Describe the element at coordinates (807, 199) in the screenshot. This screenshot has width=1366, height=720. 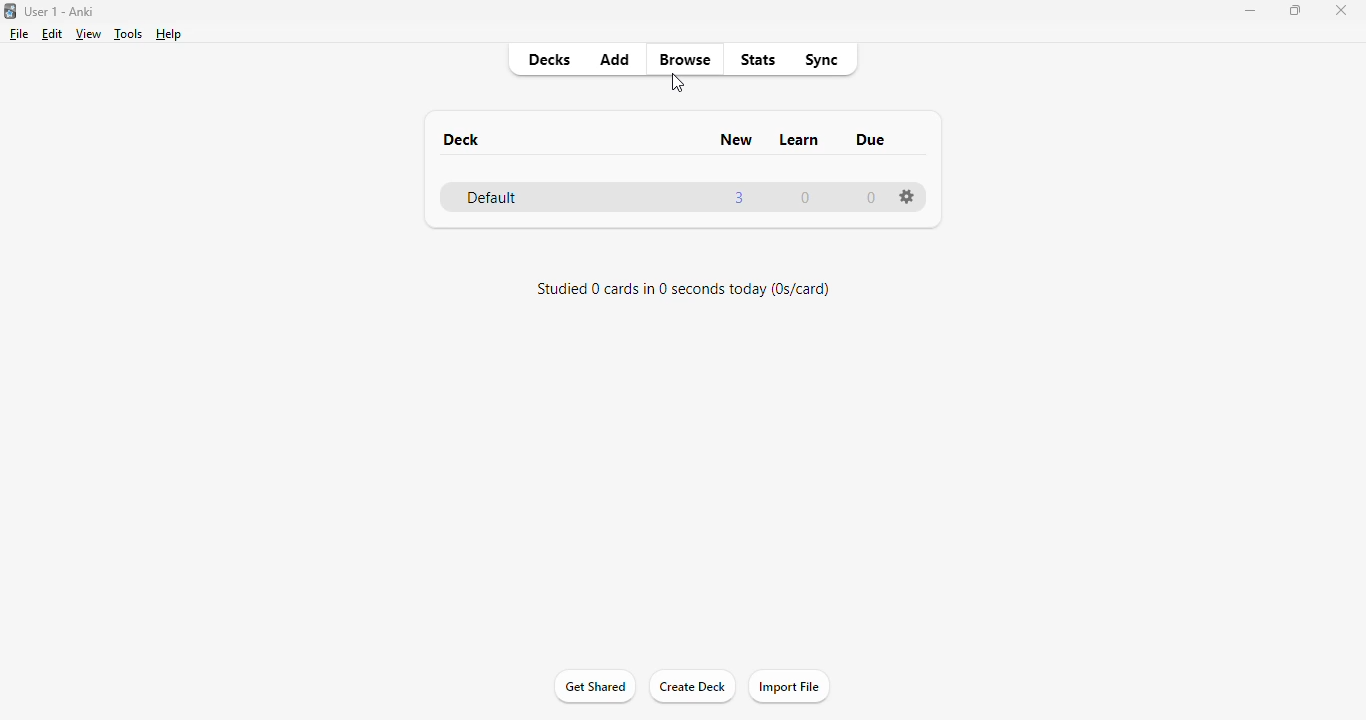
I see `0` at that location.